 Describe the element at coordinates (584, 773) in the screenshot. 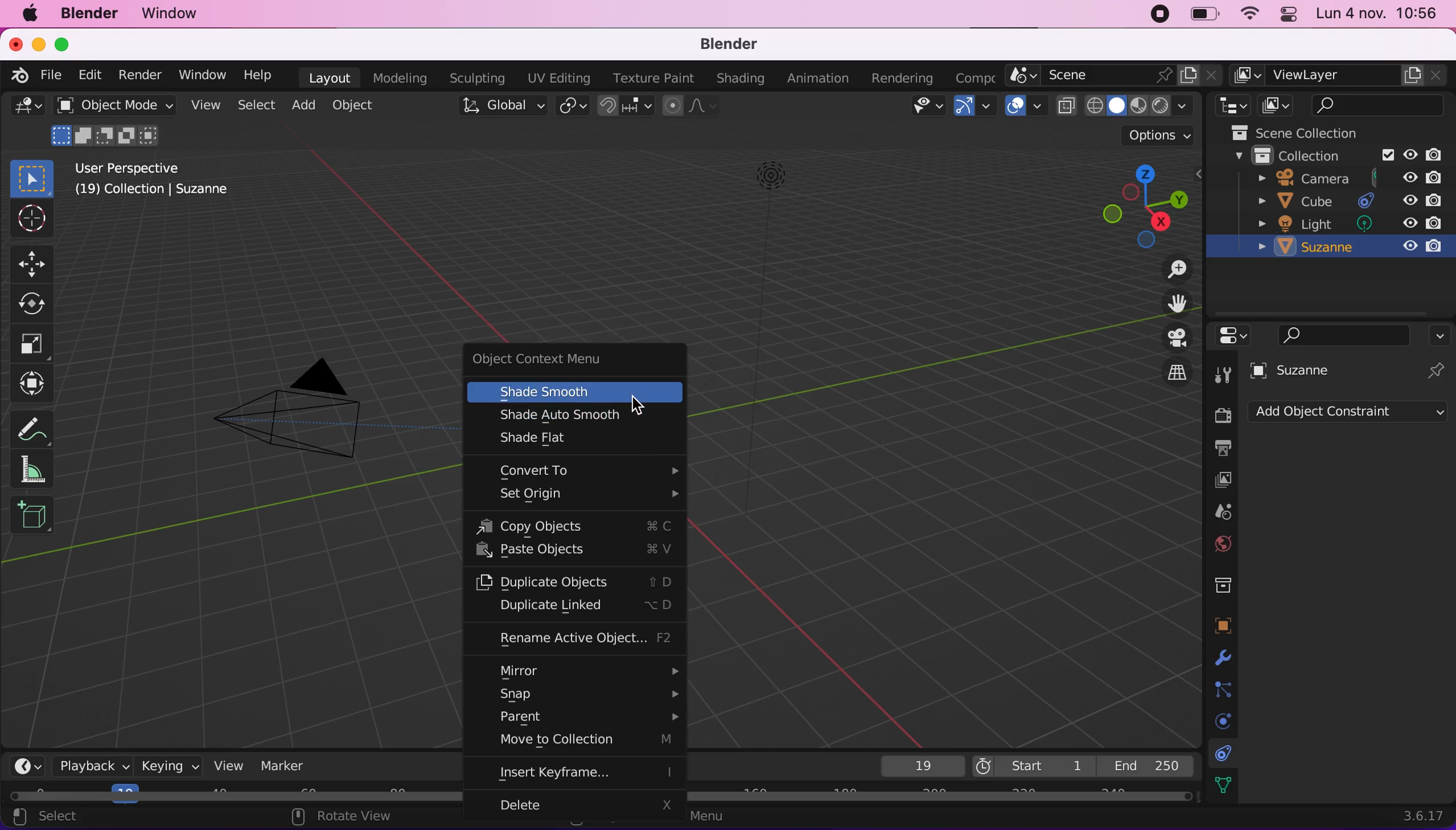

I see `insert keyframe` at that location.